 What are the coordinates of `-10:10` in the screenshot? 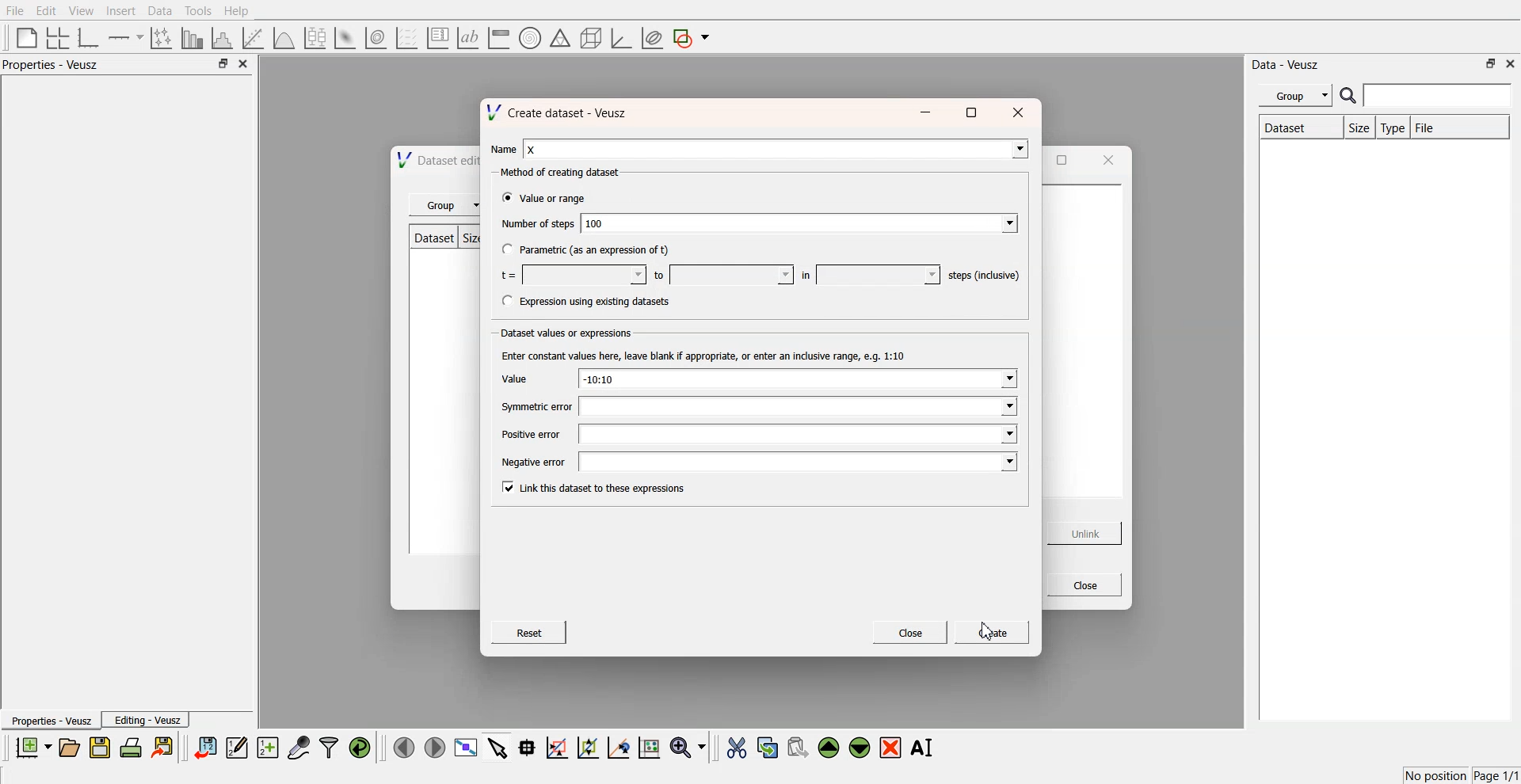 It's located at (798, 379).